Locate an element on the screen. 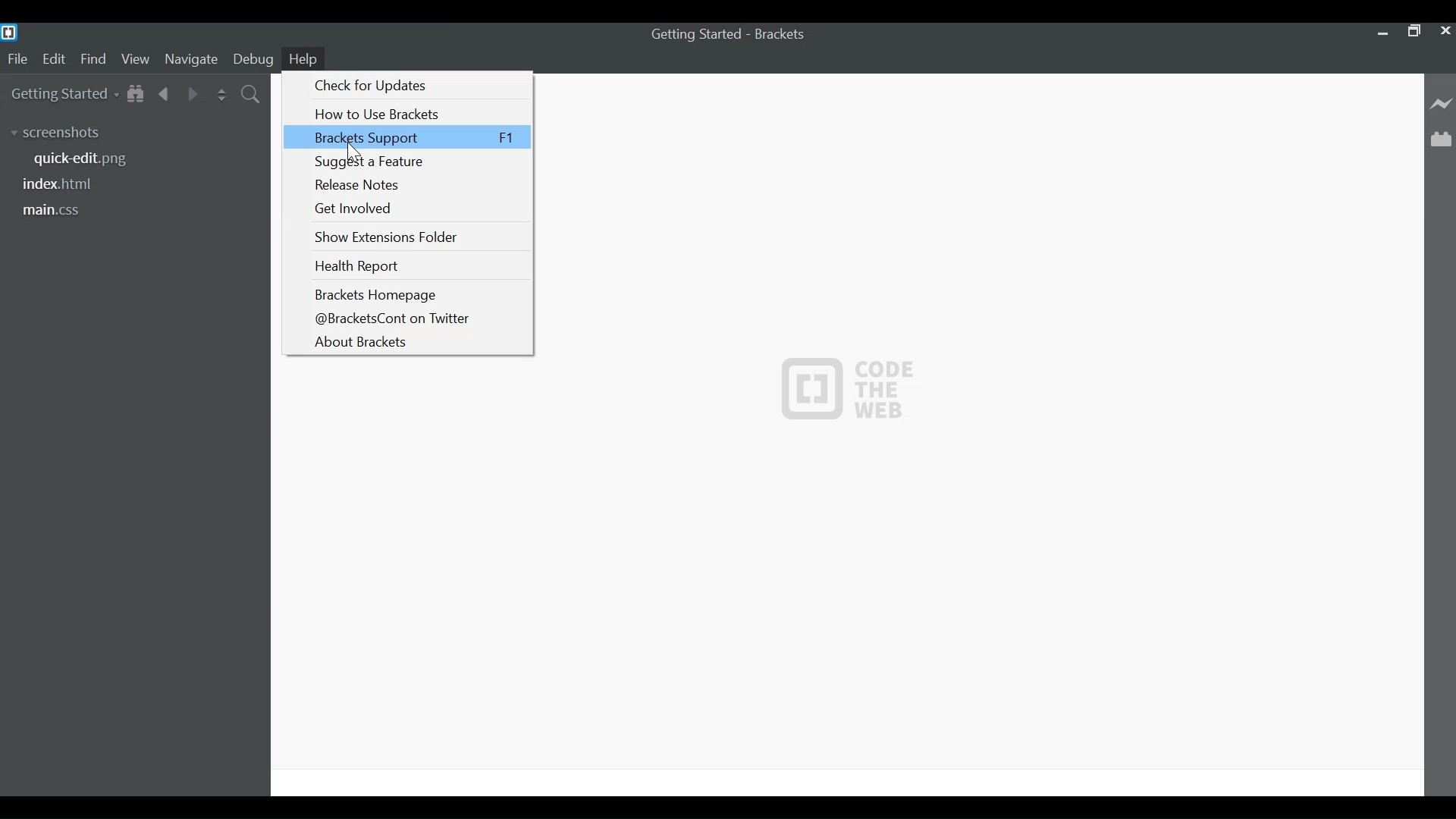 This screenshot has width=1456, height=819. @BracketsCont on Twitter is located at coordinates (415, 318).